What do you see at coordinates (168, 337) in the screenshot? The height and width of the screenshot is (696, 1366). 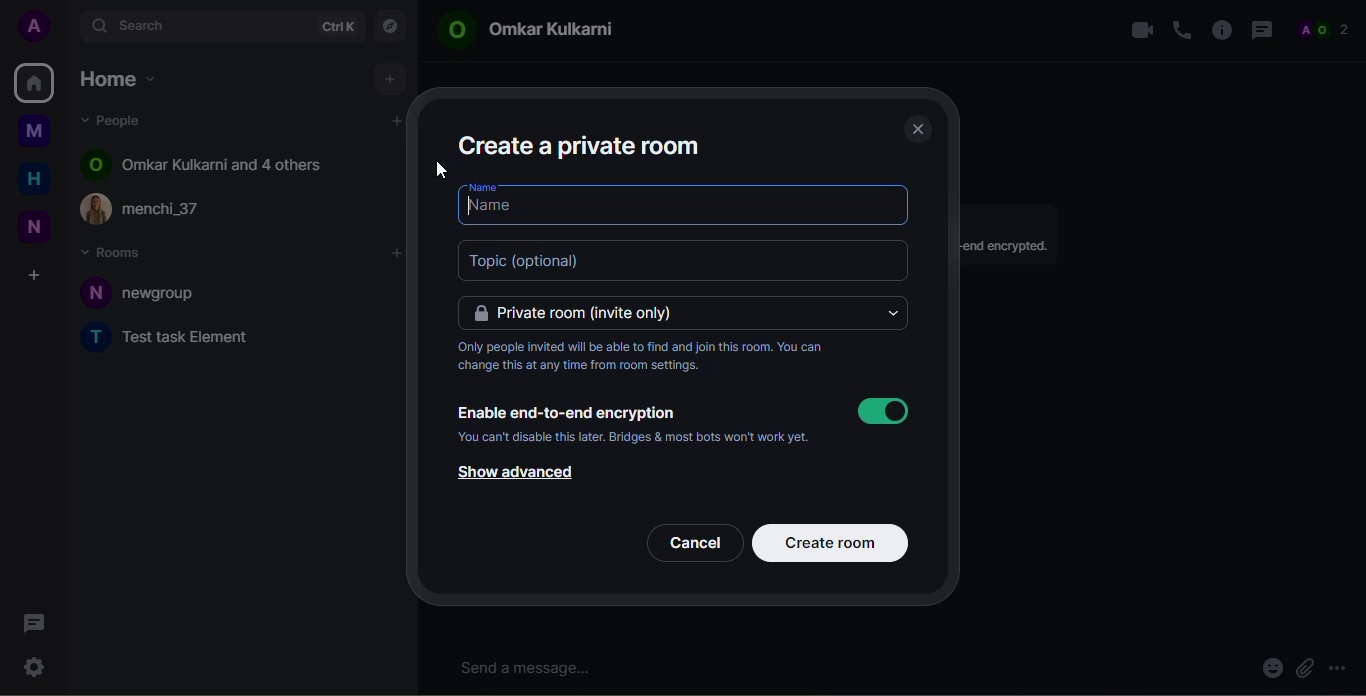 I see `T Test task Element` at bounding box center [168, 337].